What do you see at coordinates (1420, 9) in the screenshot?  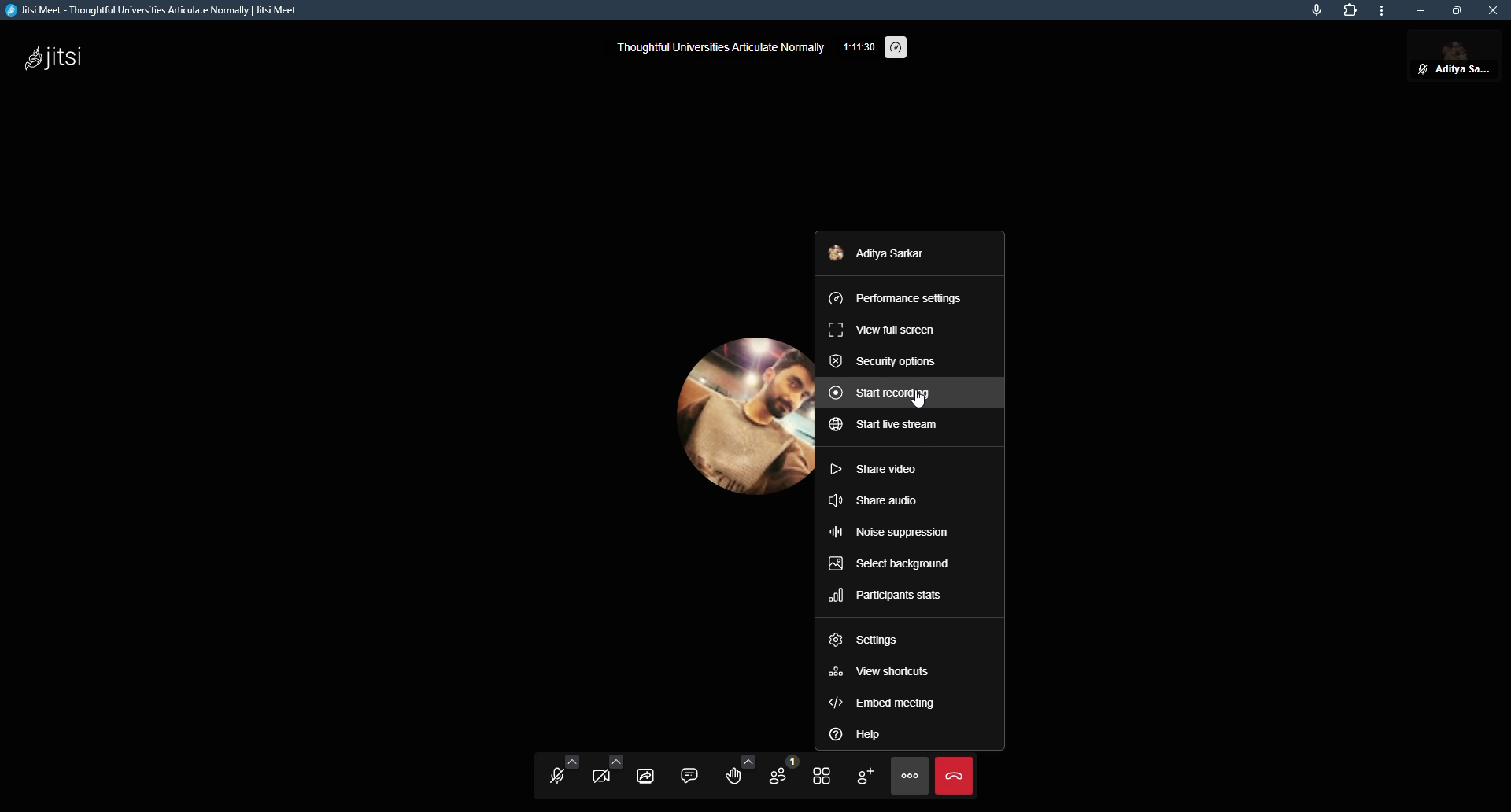 I see `minimize` at bounding box center [1420, 9].